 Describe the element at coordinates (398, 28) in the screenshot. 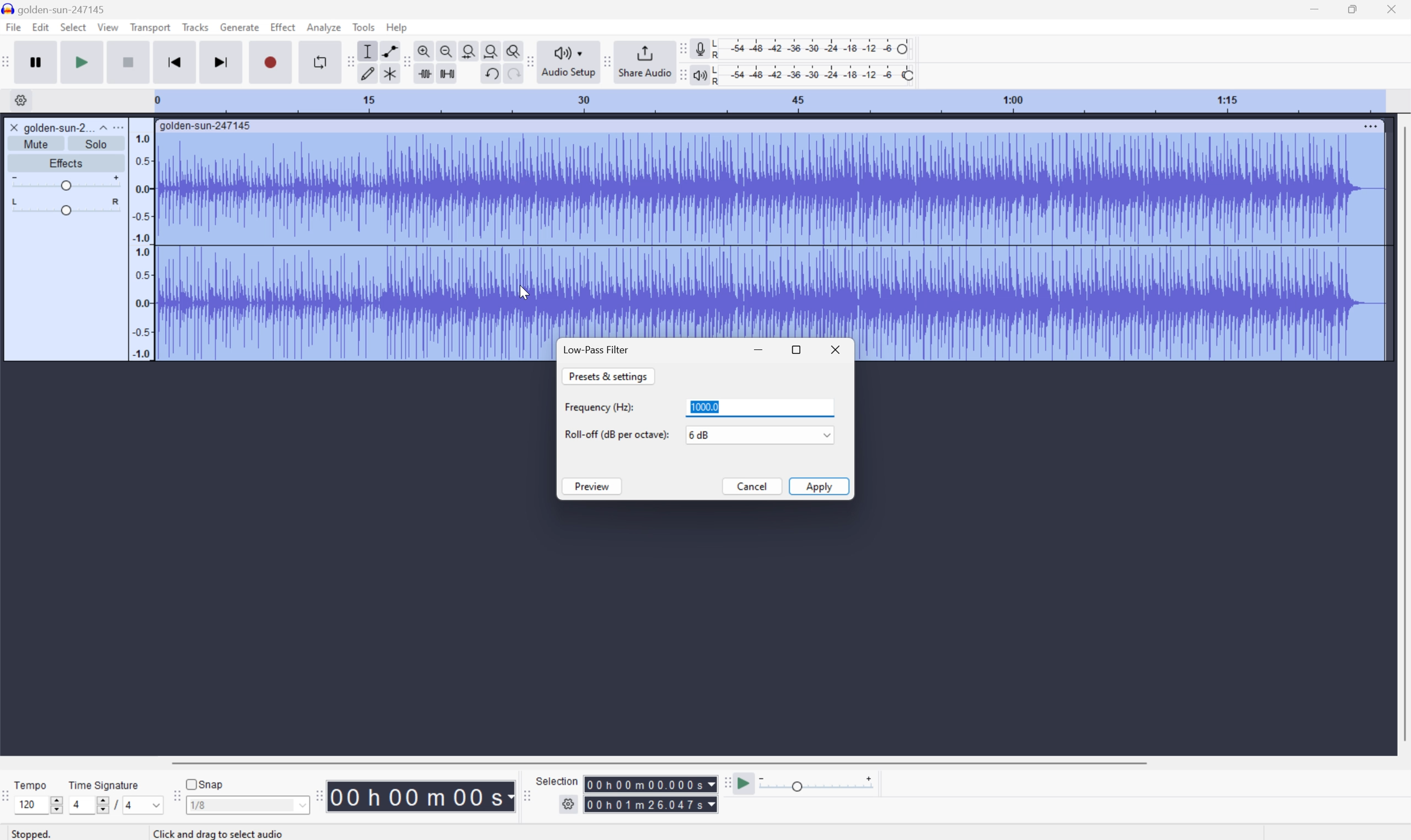

I see `Help` at that location.